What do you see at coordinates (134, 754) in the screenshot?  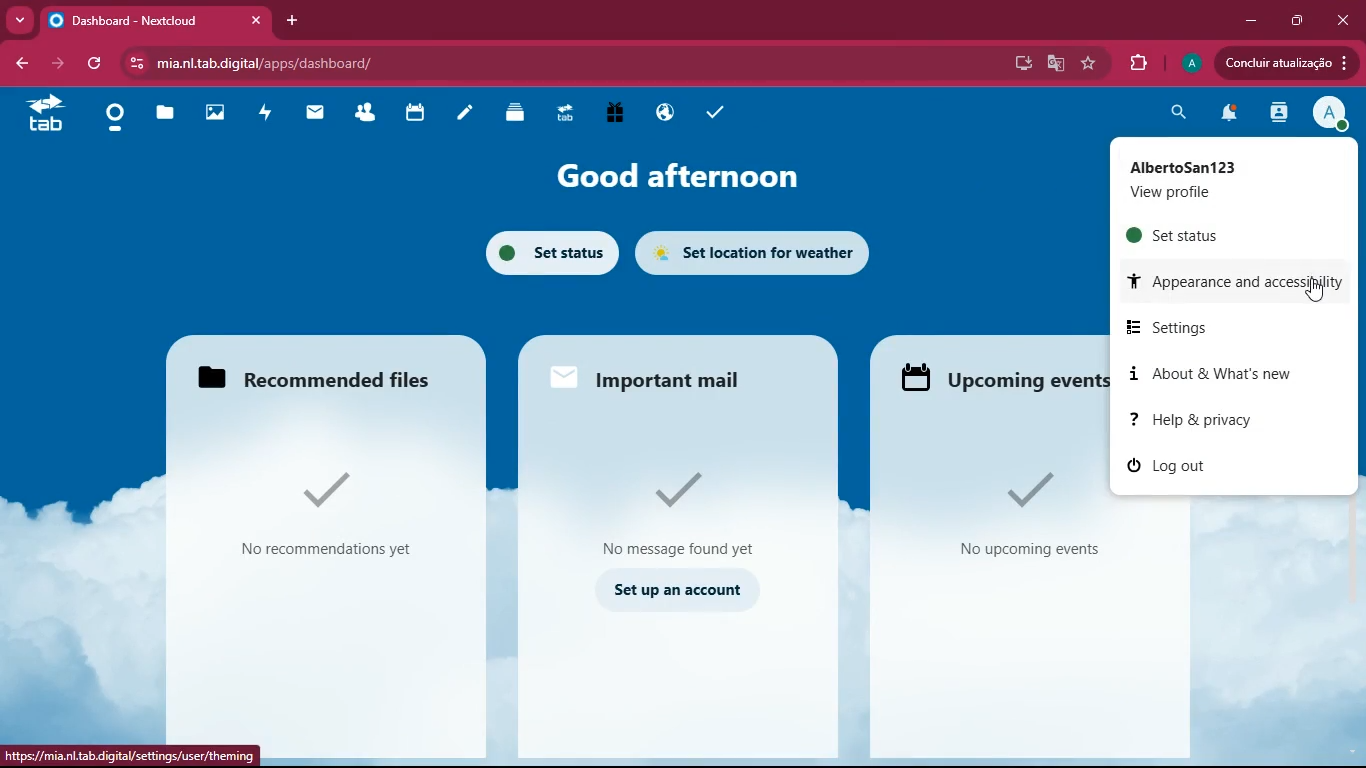 I see `url` at bounding box center [134, 754].